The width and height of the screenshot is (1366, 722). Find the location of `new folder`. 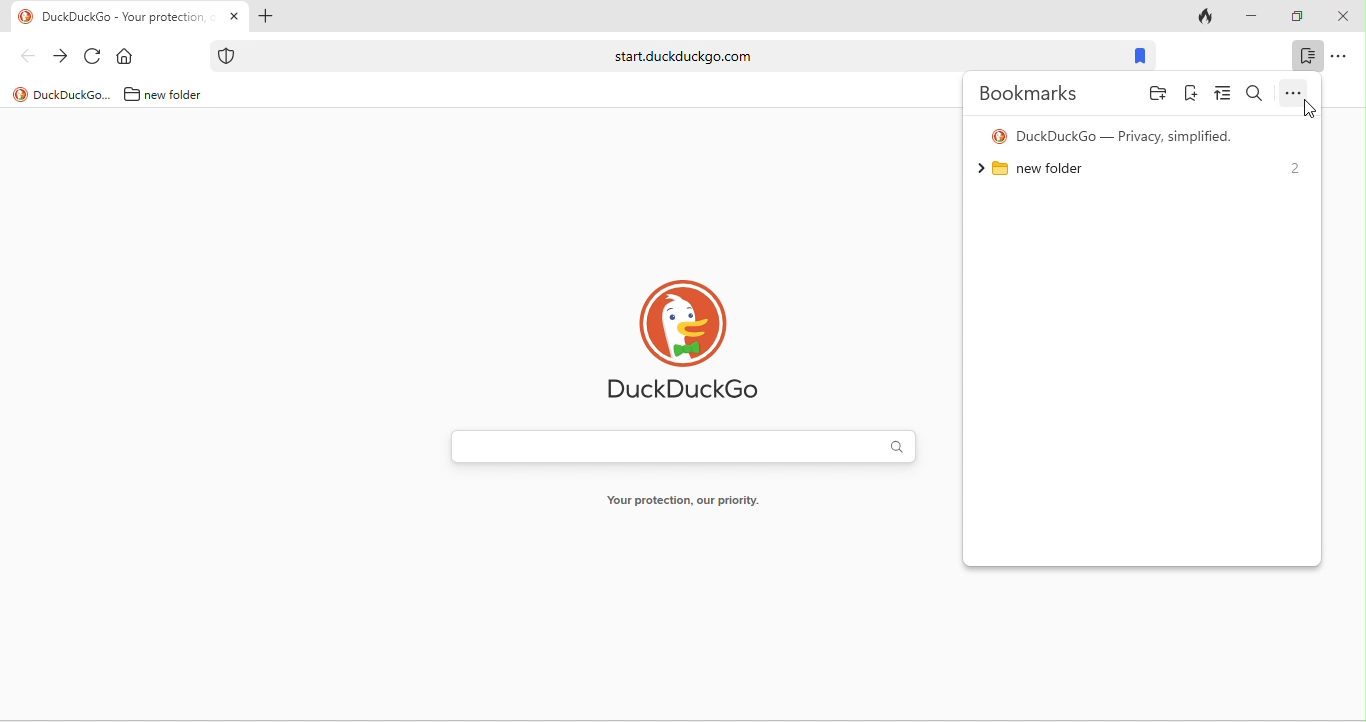

new folder is located at coordinates (1030, 169).